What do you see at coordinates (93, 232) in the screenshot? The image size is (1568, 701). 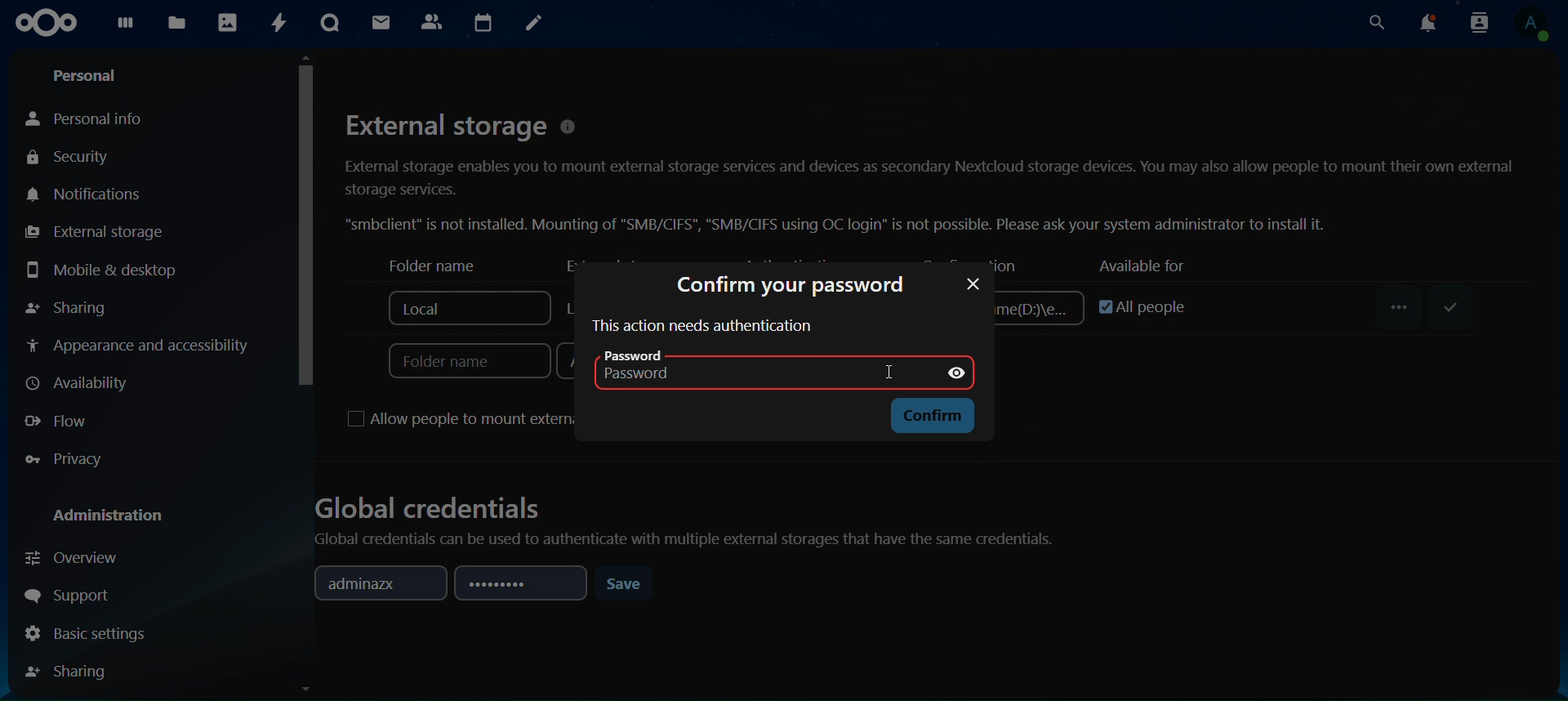 I see `external storage` at bounding box center [93, 232].